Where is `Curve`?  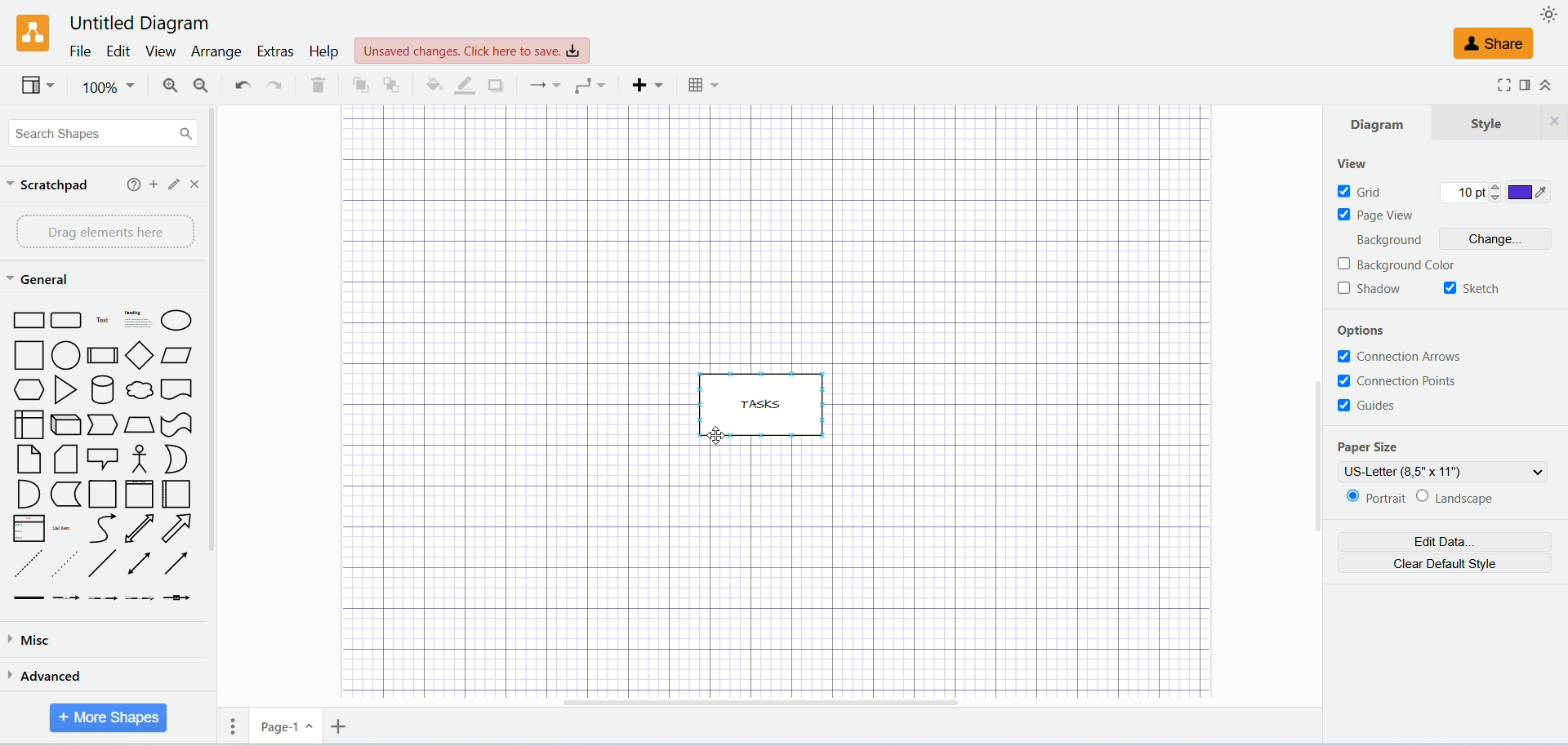 Curve is located at coordinates (104, 529).